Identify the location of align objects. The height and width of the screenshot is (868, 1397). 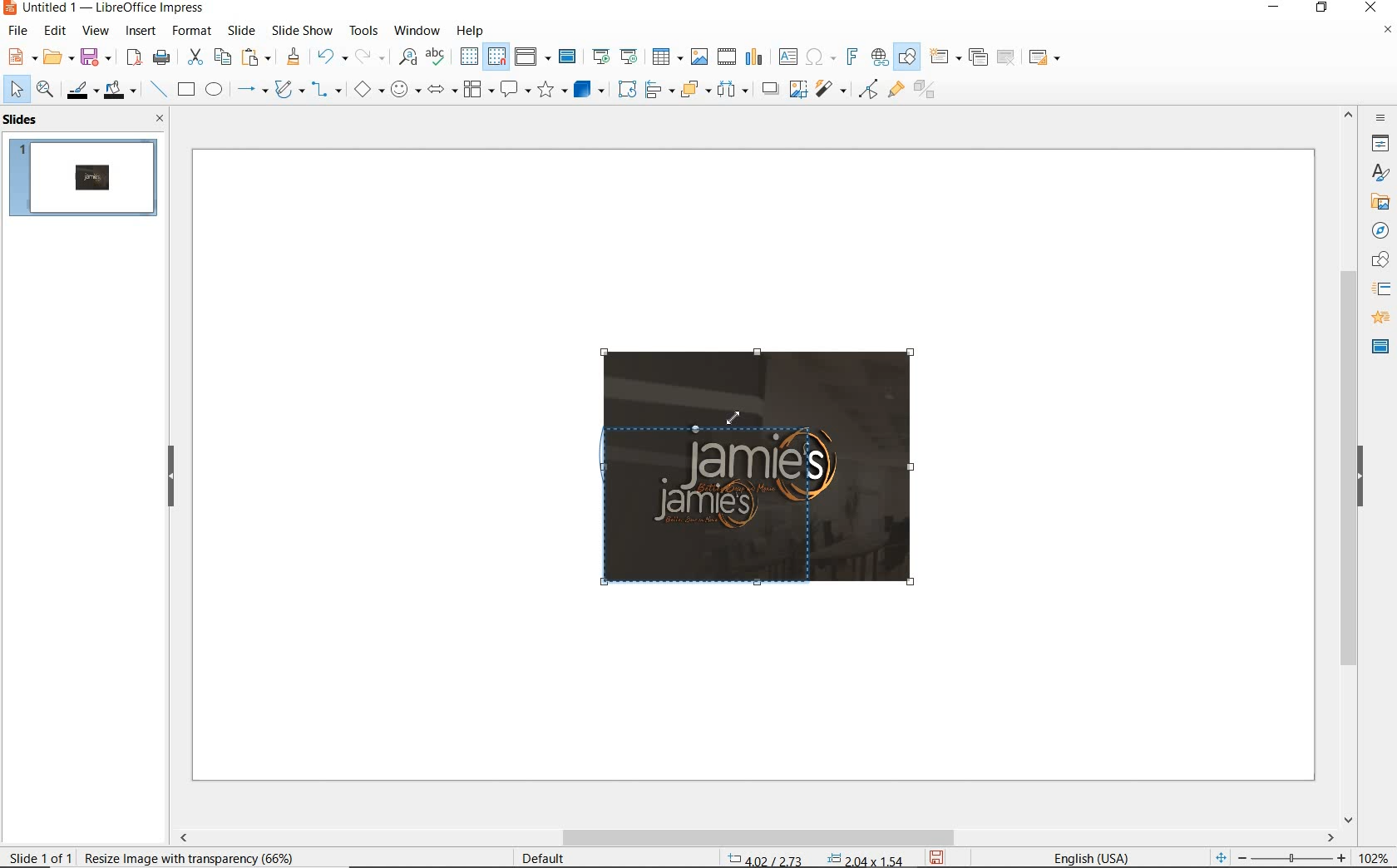
(655, 88).